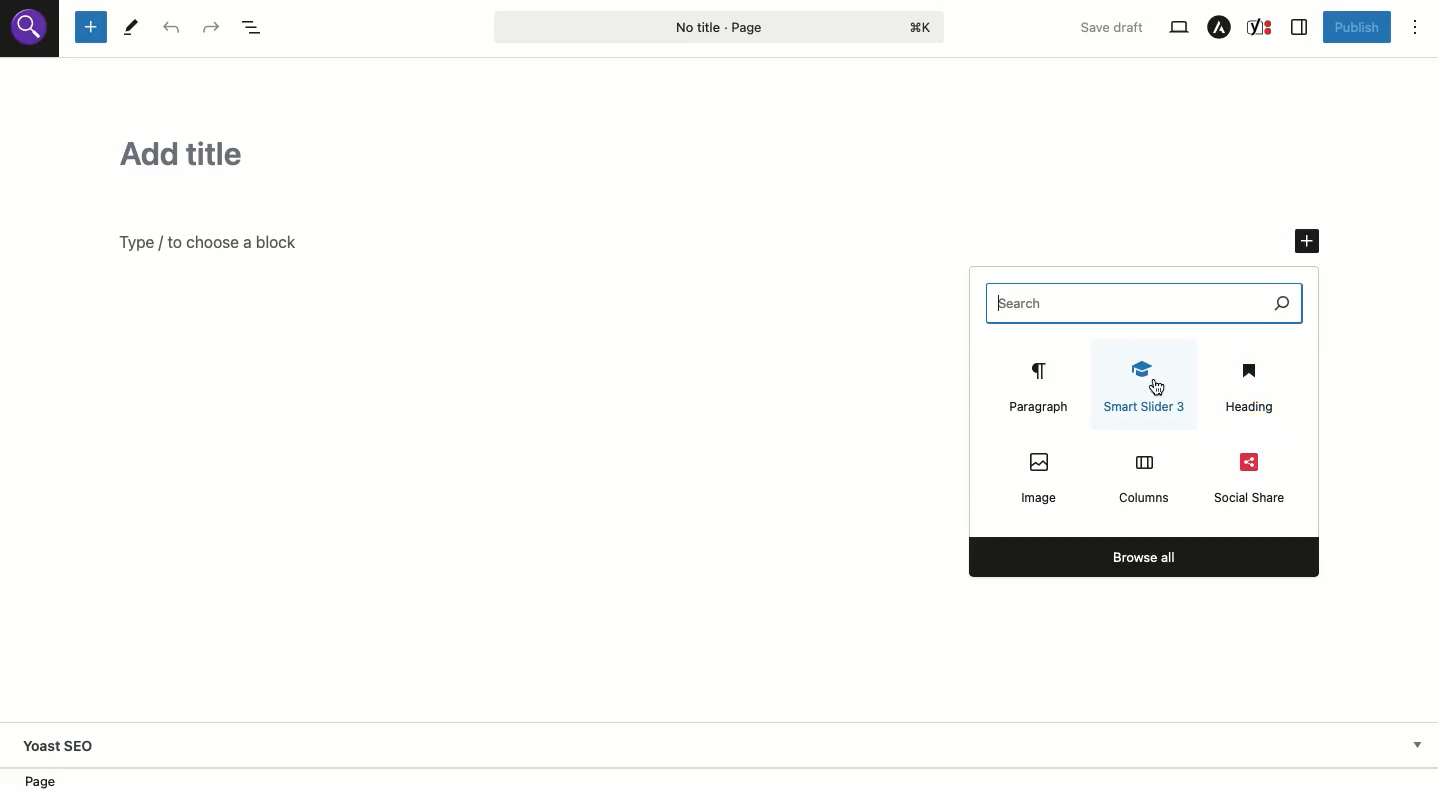 This screenshot has height=792, width=1438. I want to click on Redo, so click(210, 28).